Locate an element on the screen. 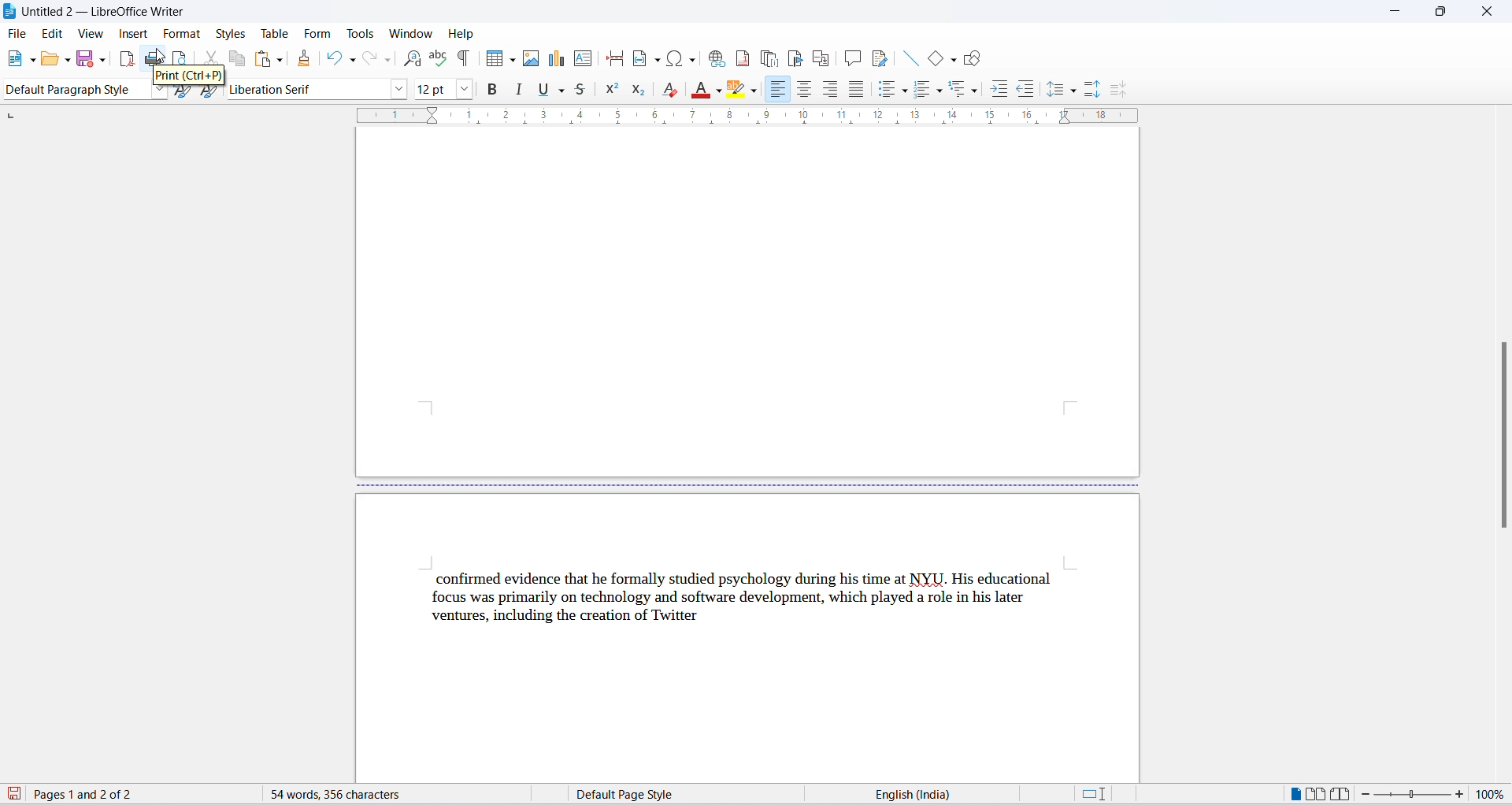 The height and width of the screenshot is (805, 1512). single page view is located at coordinates (1291, 793).